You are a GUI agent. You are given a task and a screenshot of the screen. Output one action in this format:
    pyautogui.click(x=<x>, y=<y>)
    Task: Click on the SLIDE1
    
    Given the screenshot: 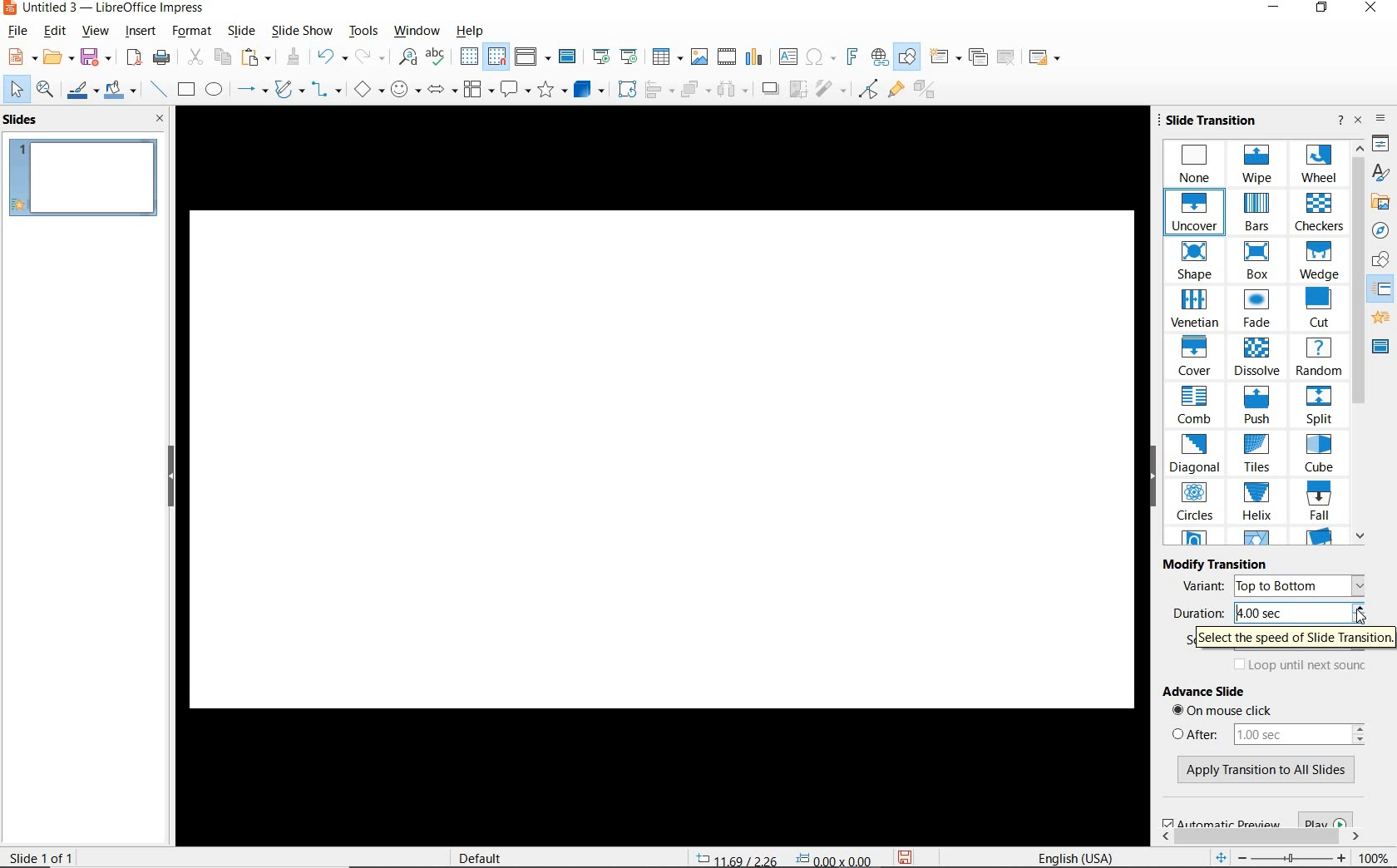 What is the action you would take?
    pyautogui.click(x=86, y=180)
    